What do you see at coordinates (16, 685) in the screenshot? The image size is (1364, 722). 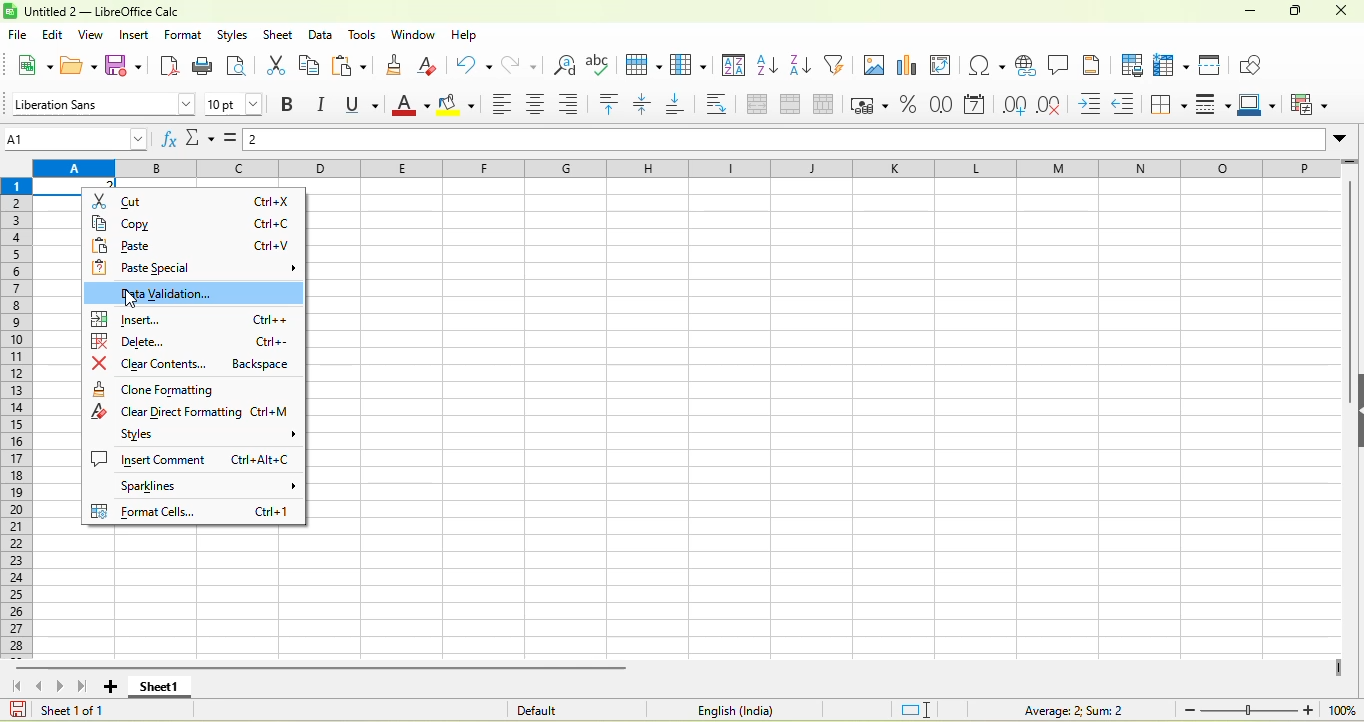 I see `scroll to first sheet` at bounding box center [16, 685].